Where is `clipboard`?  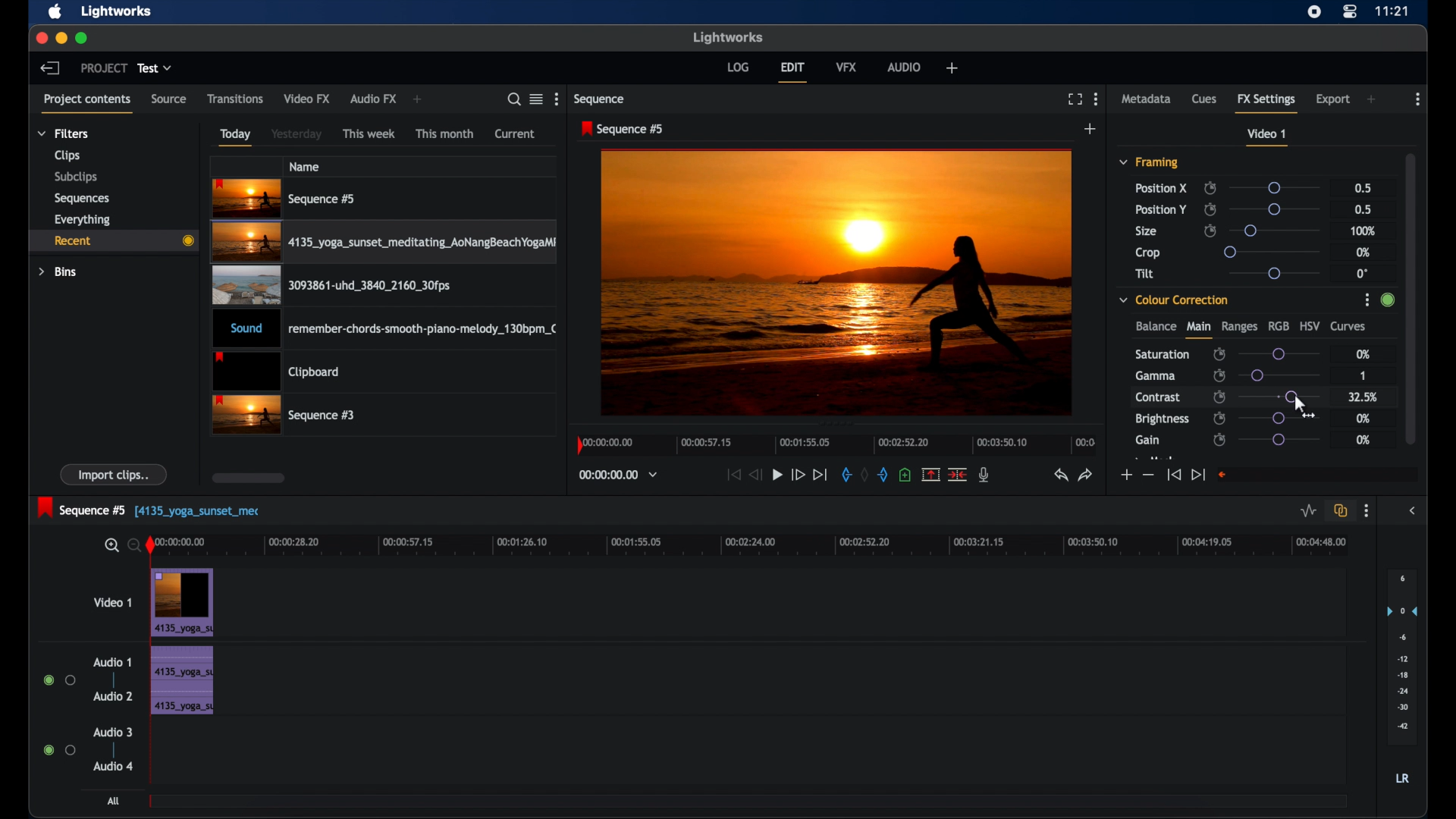 clipboard is located at coordinates (276, 372).